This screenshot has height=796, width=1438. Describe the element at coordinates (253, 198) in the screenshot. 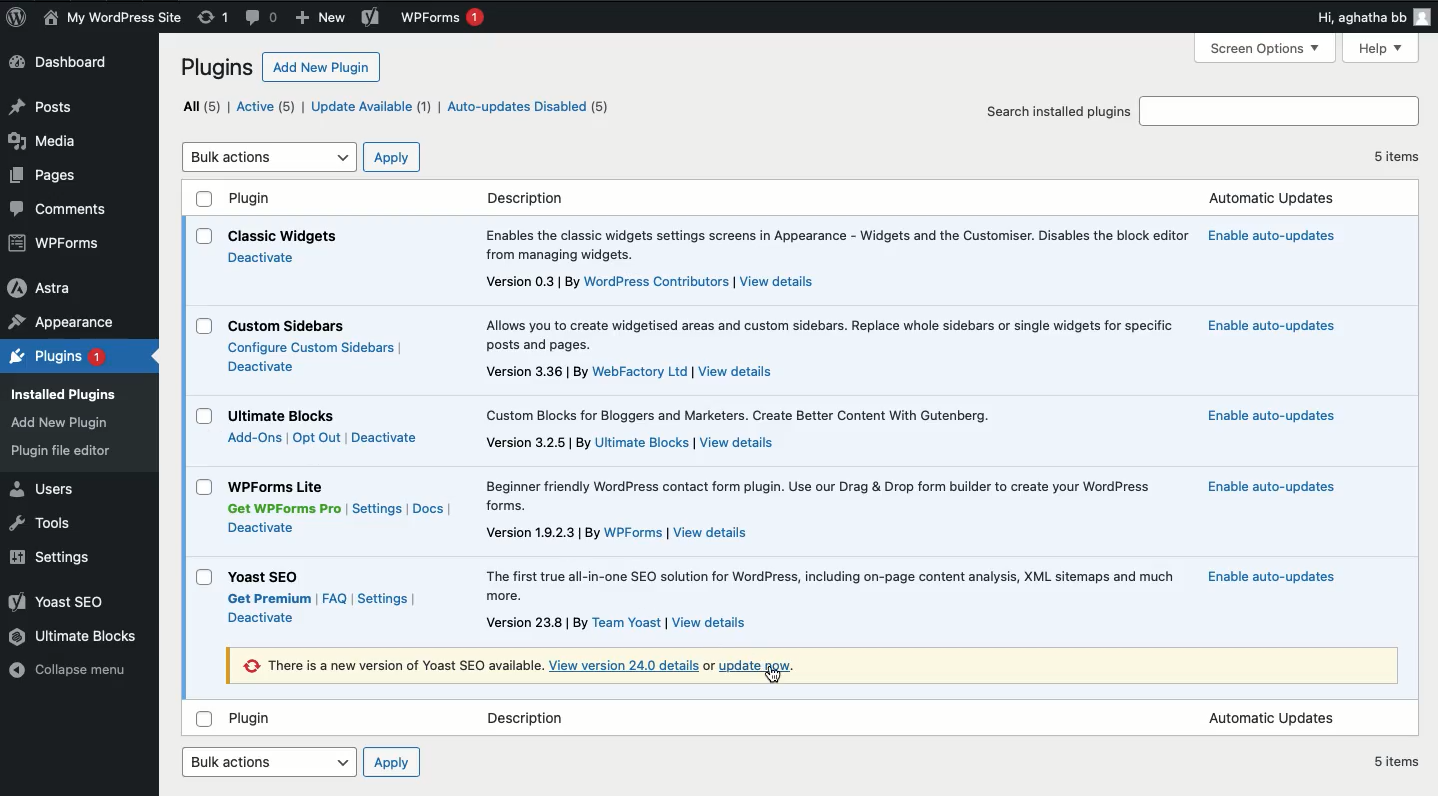

I see `Plugin` at that location.